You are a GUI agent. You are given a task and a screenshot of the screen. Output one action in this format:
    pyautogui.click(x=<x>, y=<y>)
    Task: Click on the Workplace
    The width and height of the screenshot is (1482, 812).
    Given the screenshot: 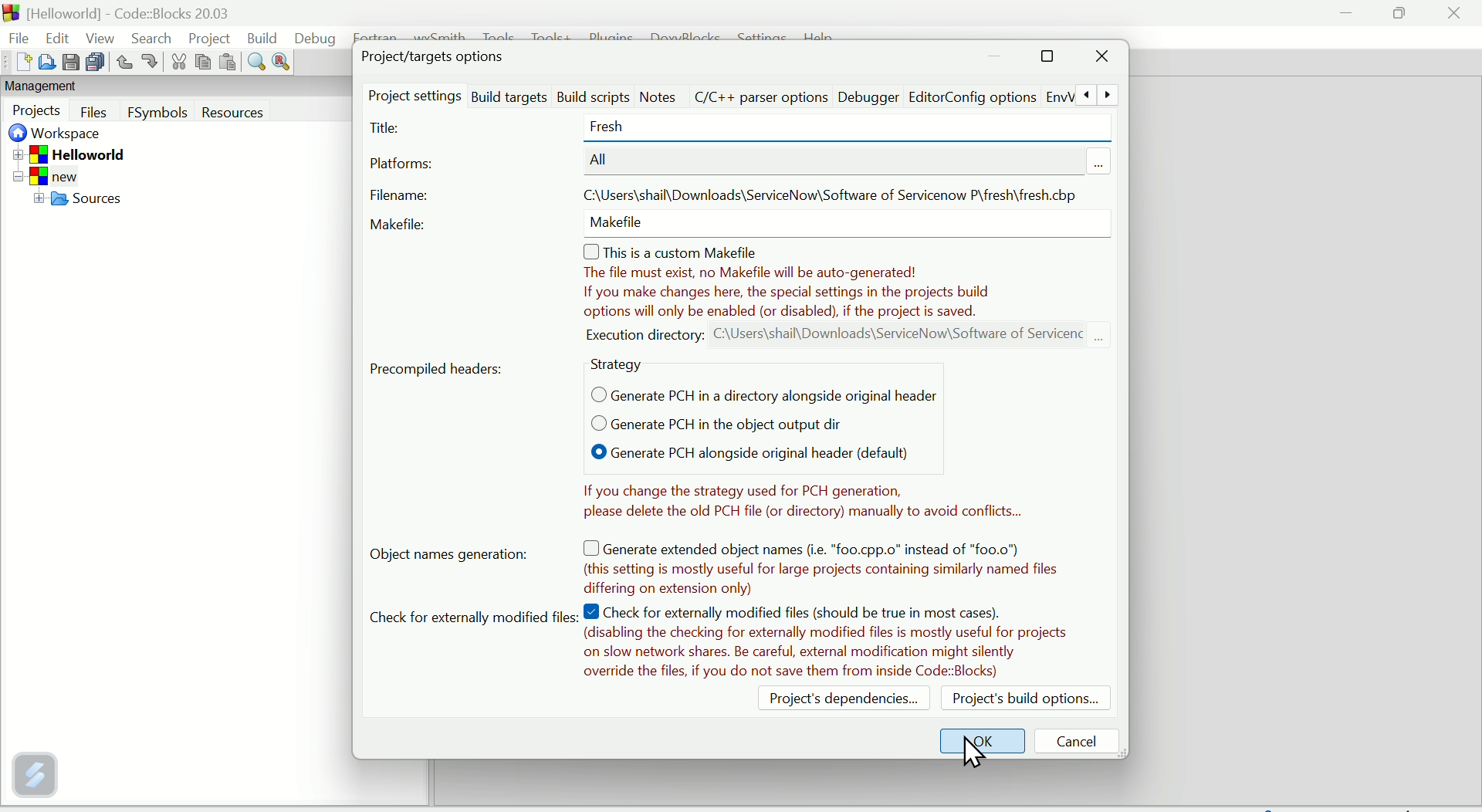 What is the action you would take?
    pyautogui.click(x=60, y=135)
    